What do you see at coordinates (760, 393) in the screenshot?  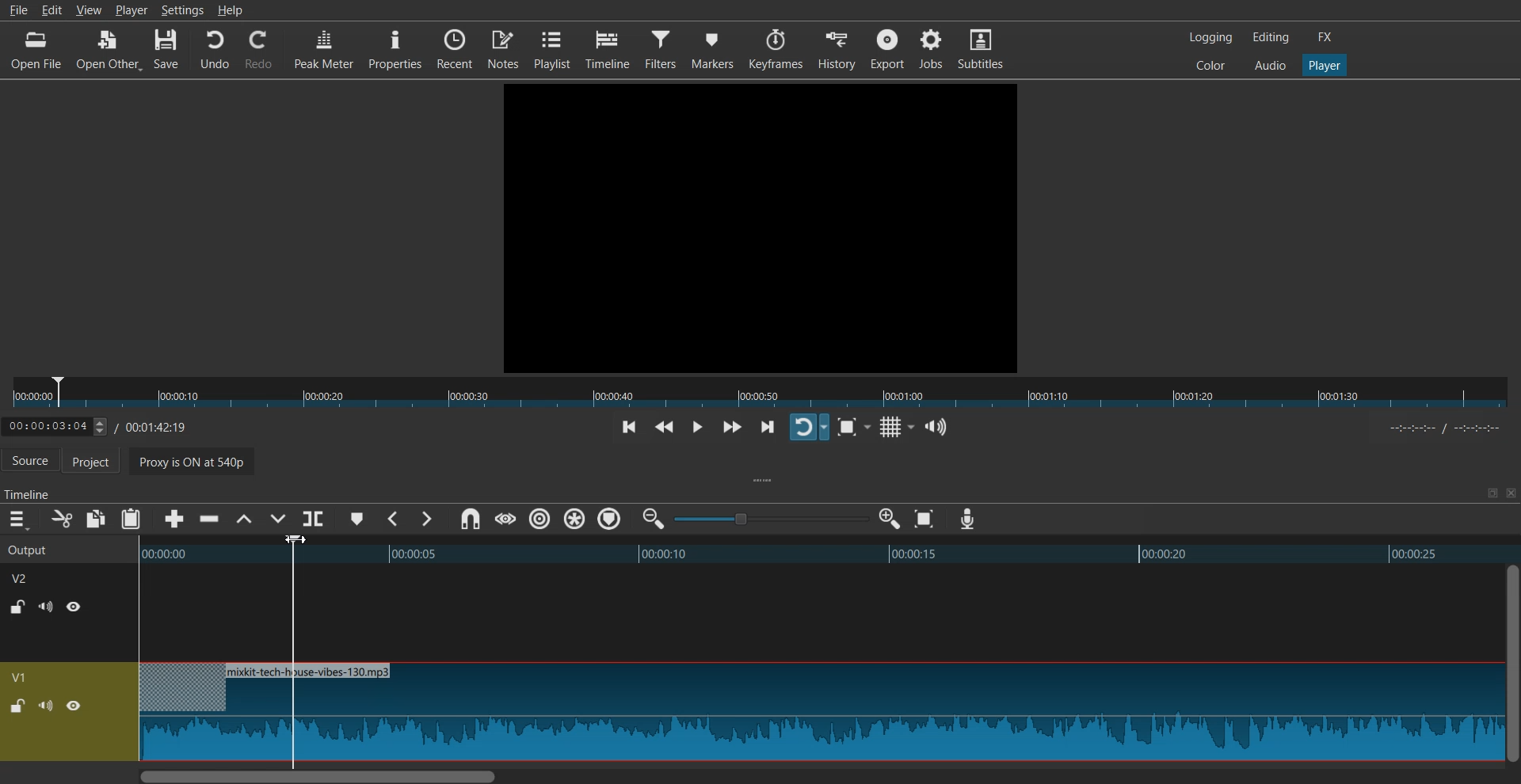 I see `Slider` at bounding box center [760, 393].